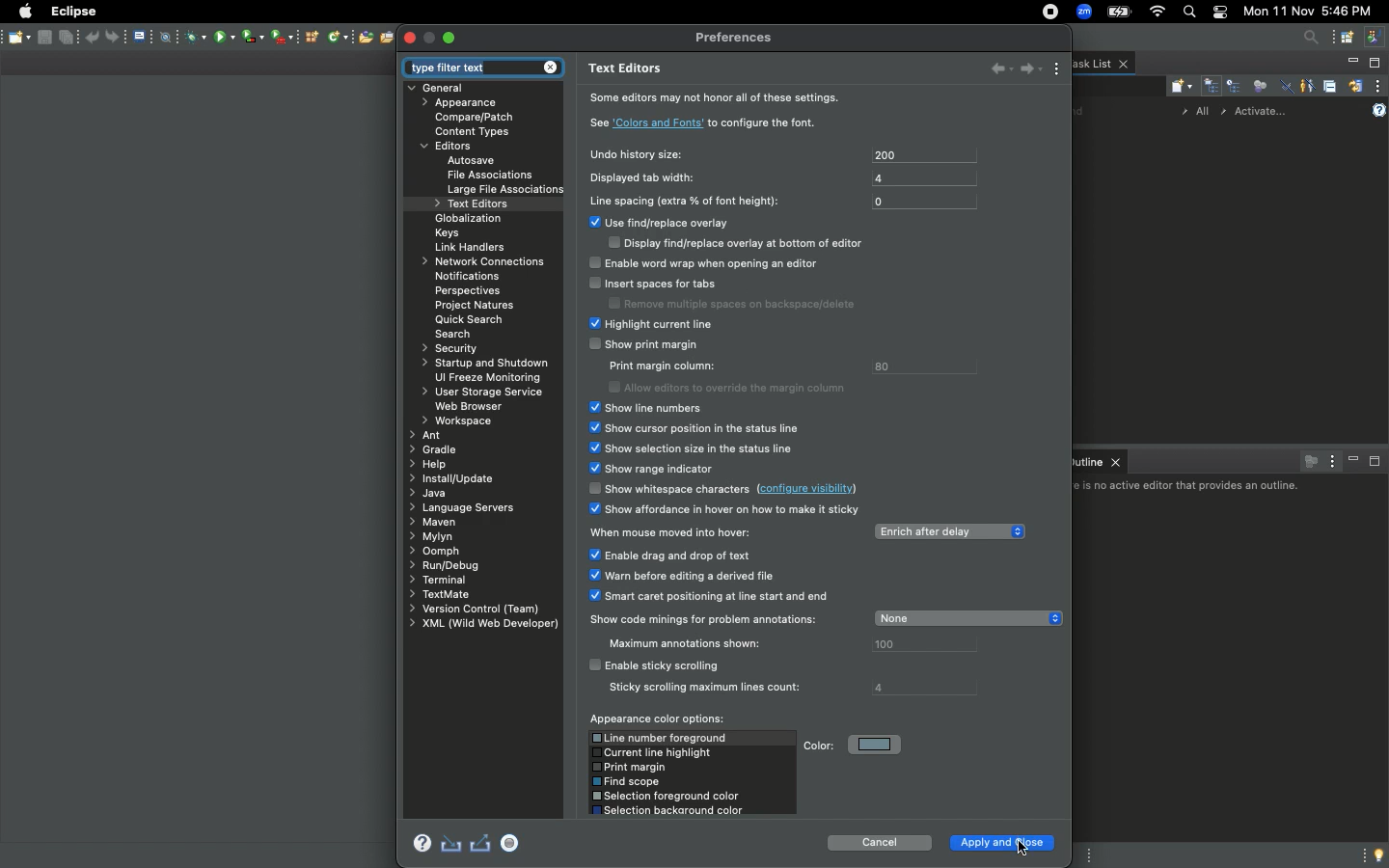 The height and width of the screenshot is (868, 1389). What do you see at coordinates (422, 843) in the screenshot?
I see `Help` at bounding box center [422, 843].